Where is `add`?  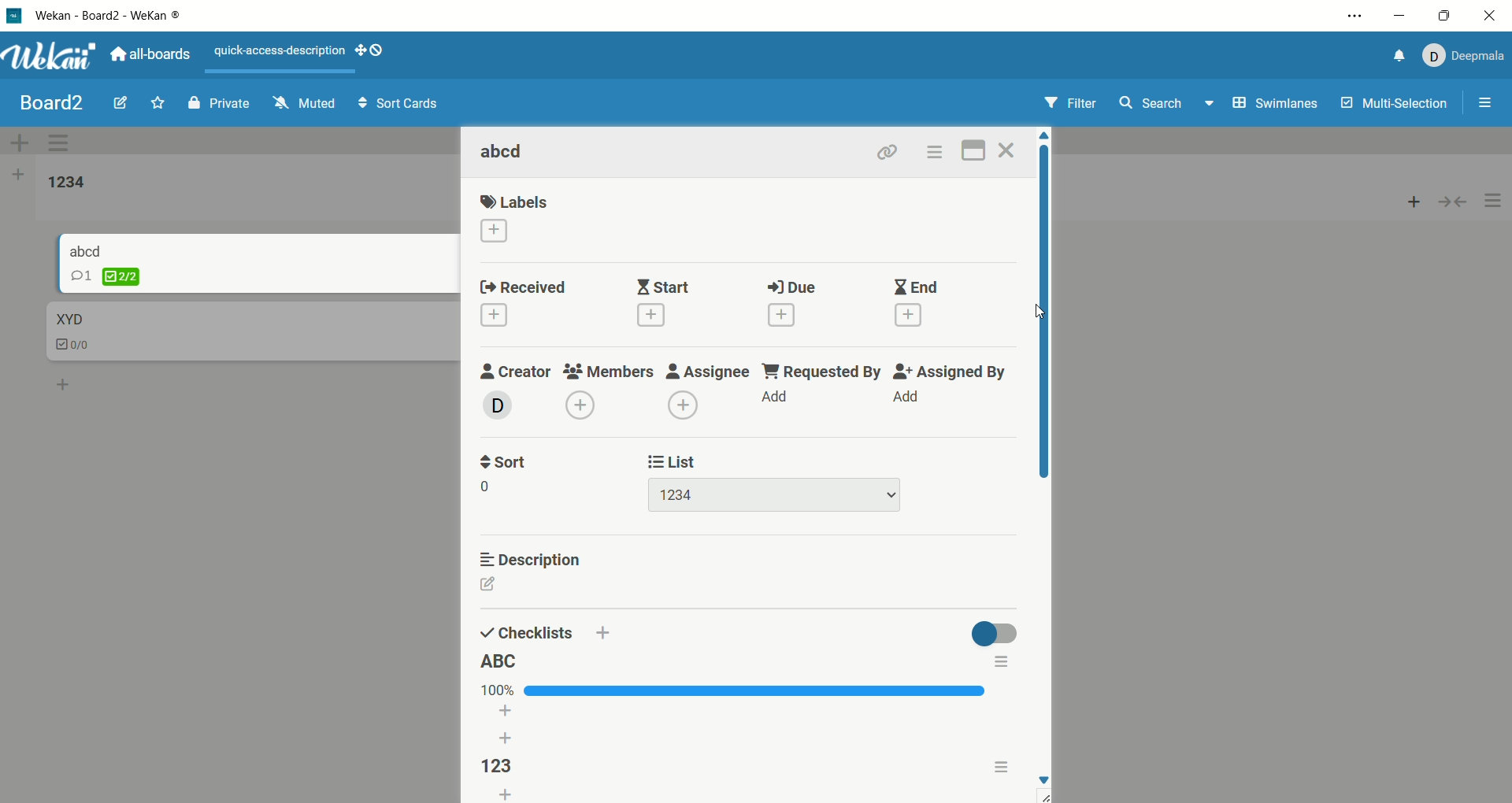
add is located at coordinates (650, 316).